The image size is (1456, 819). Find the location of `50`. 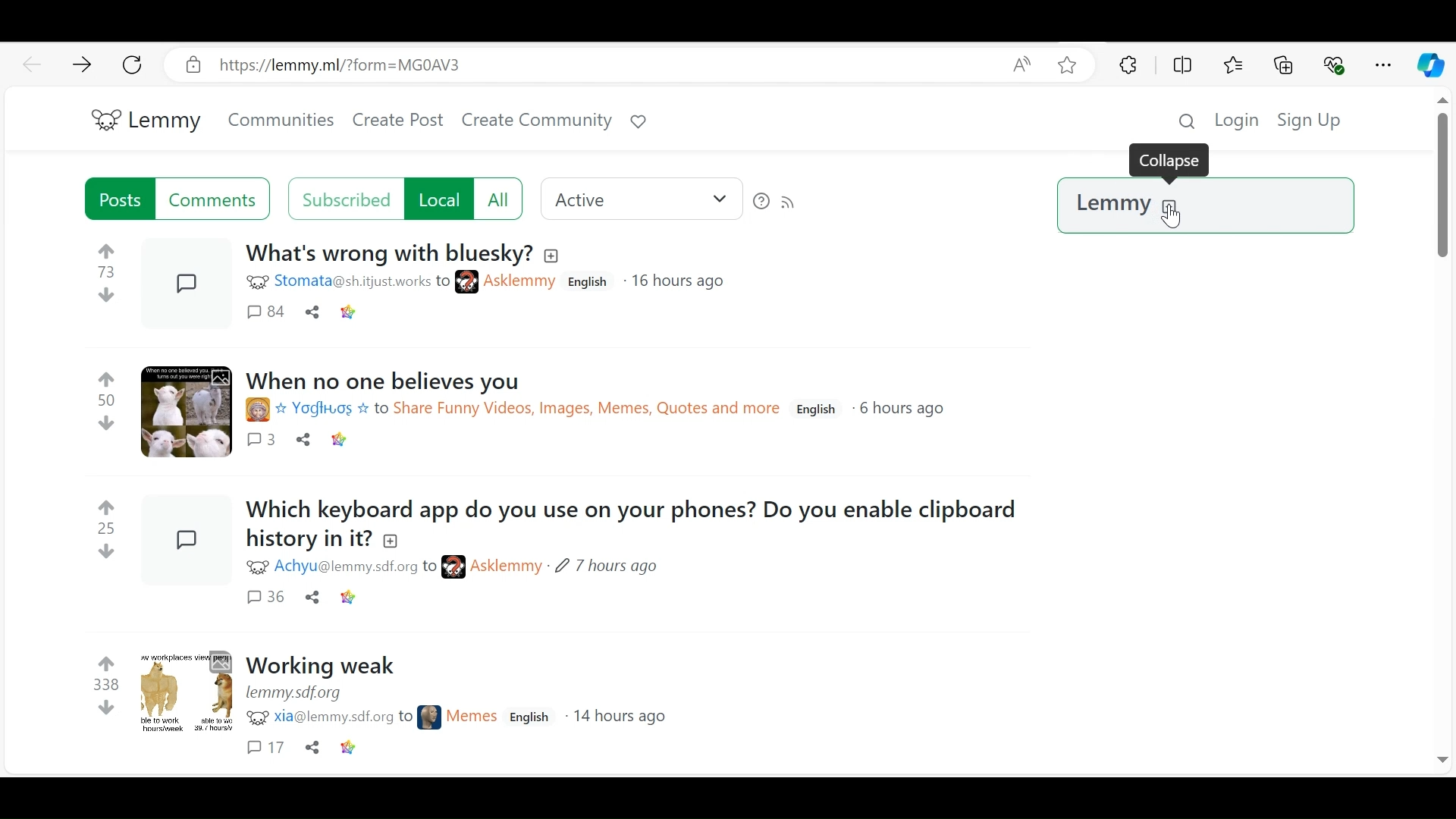

50 is located at coordinates (106, 400).